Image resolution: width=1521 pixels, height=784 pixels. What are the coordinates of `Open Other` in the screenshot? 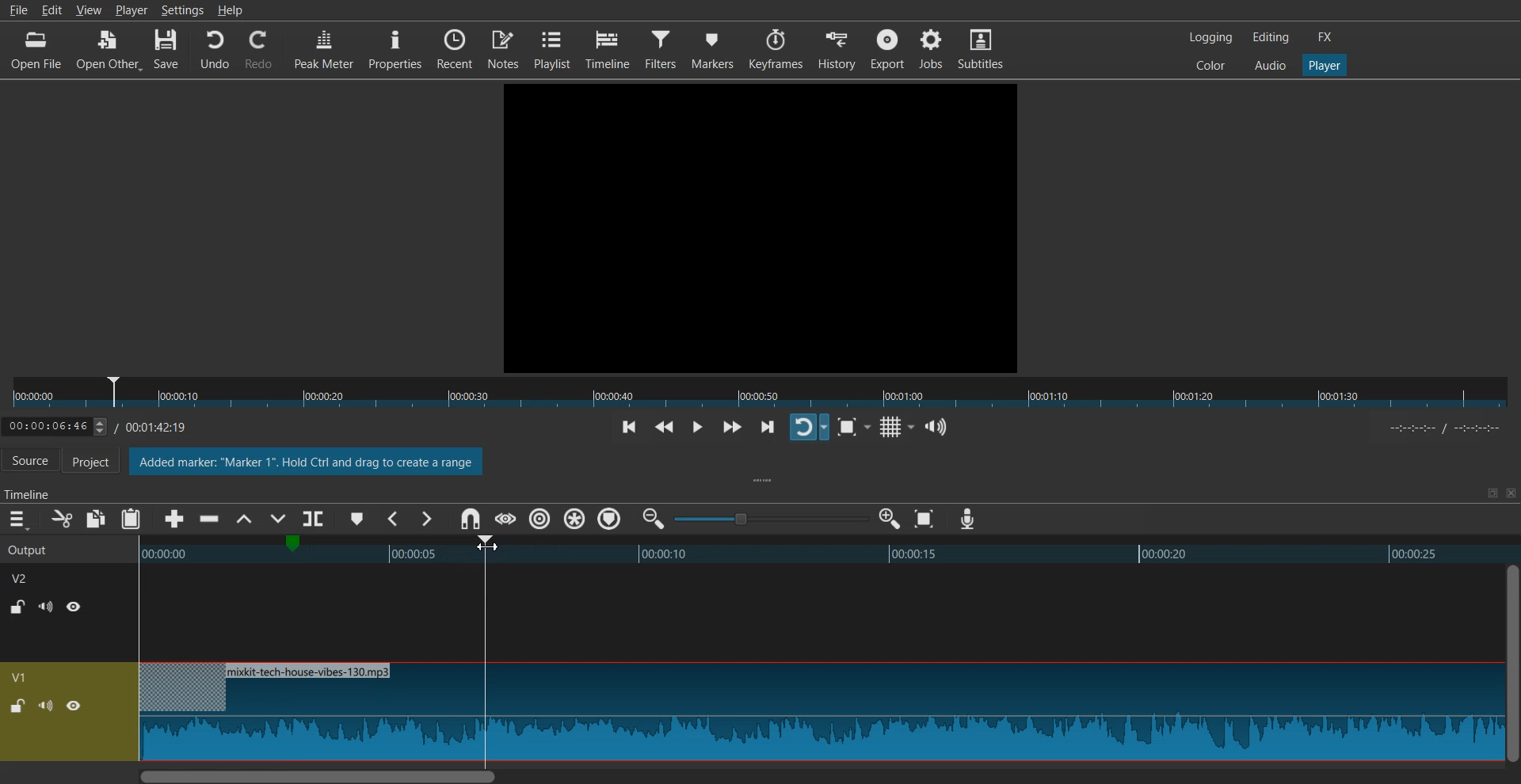 It's located at (109, 51).